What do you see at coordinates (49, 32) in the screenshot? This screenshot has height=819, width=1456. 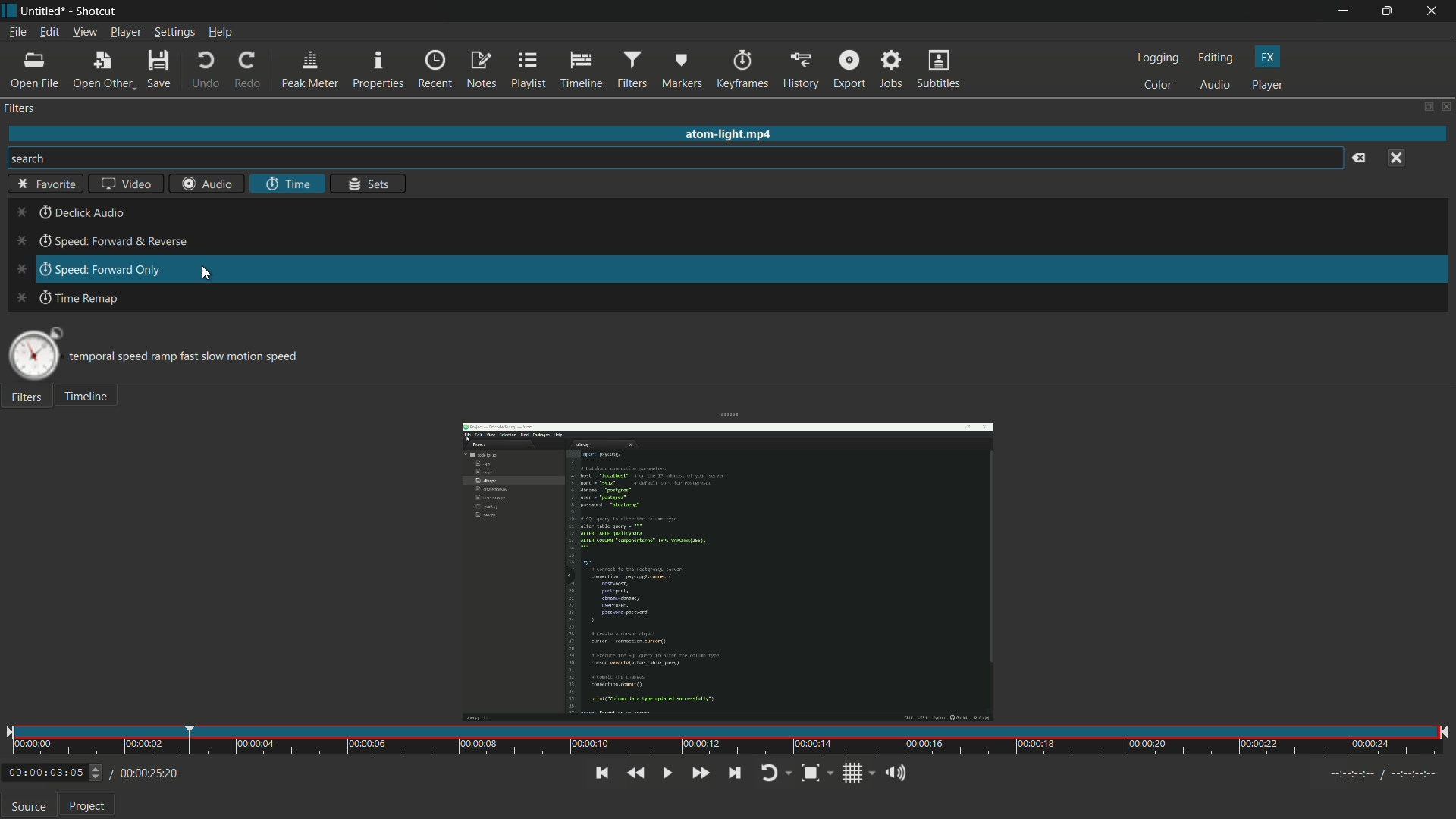 I see `edit menu` at bounding box center [49, 32].